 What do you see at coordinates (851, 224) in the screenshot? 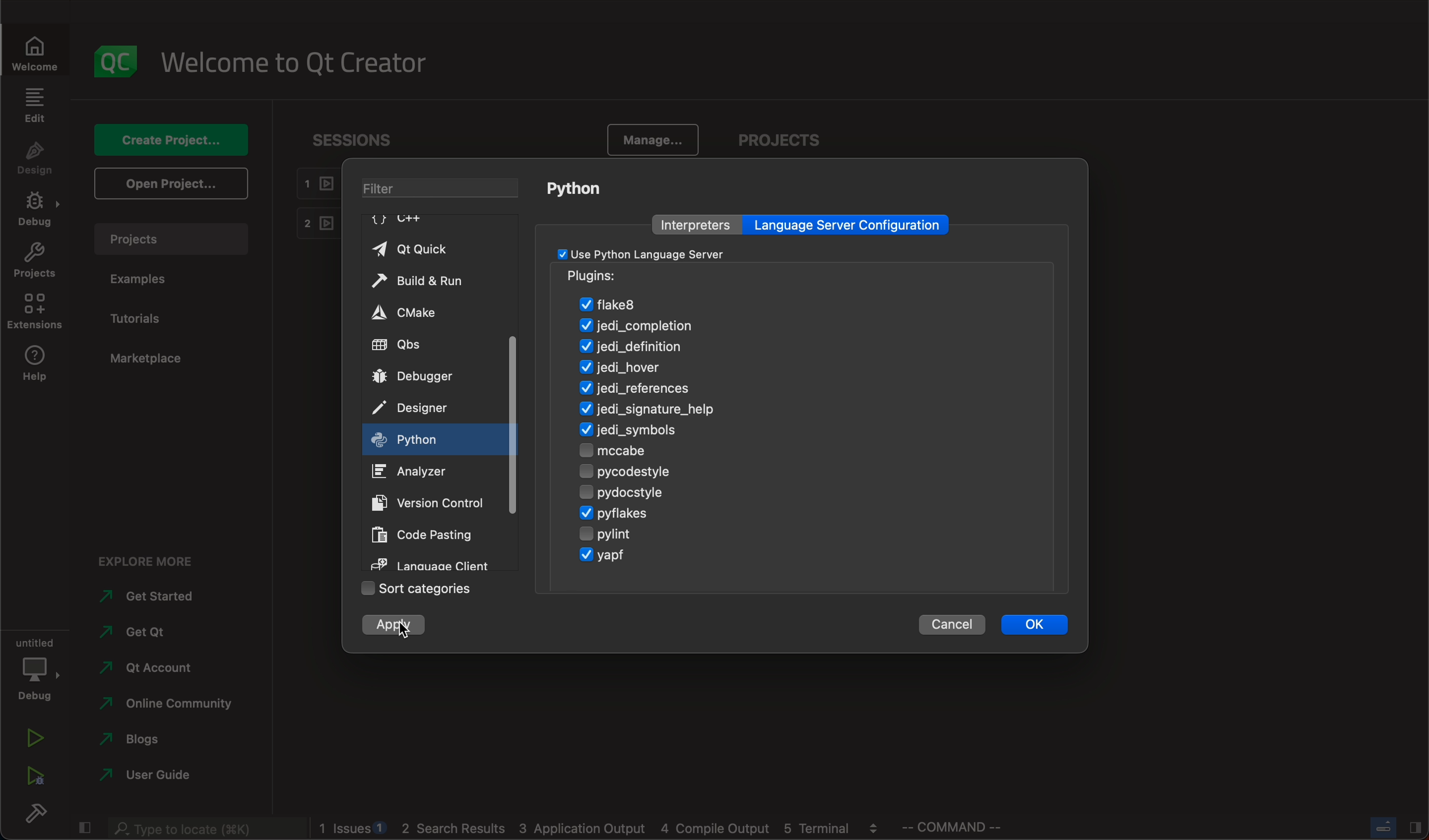
I see `language server` at bounding box center [851, 224].